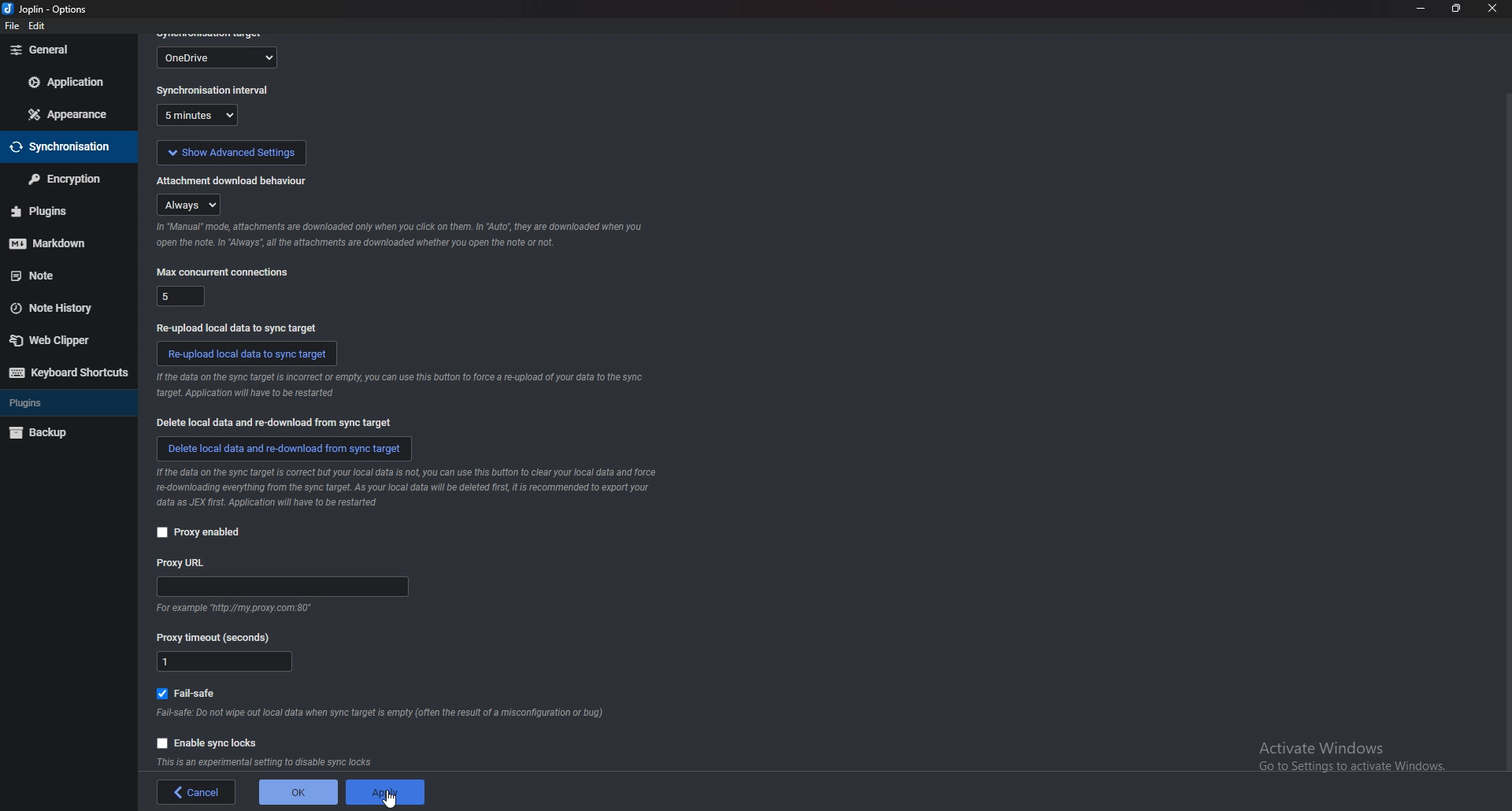  Describe the element at coordinates (202, 117) in the screenshot. I see `sync interval` at that location.